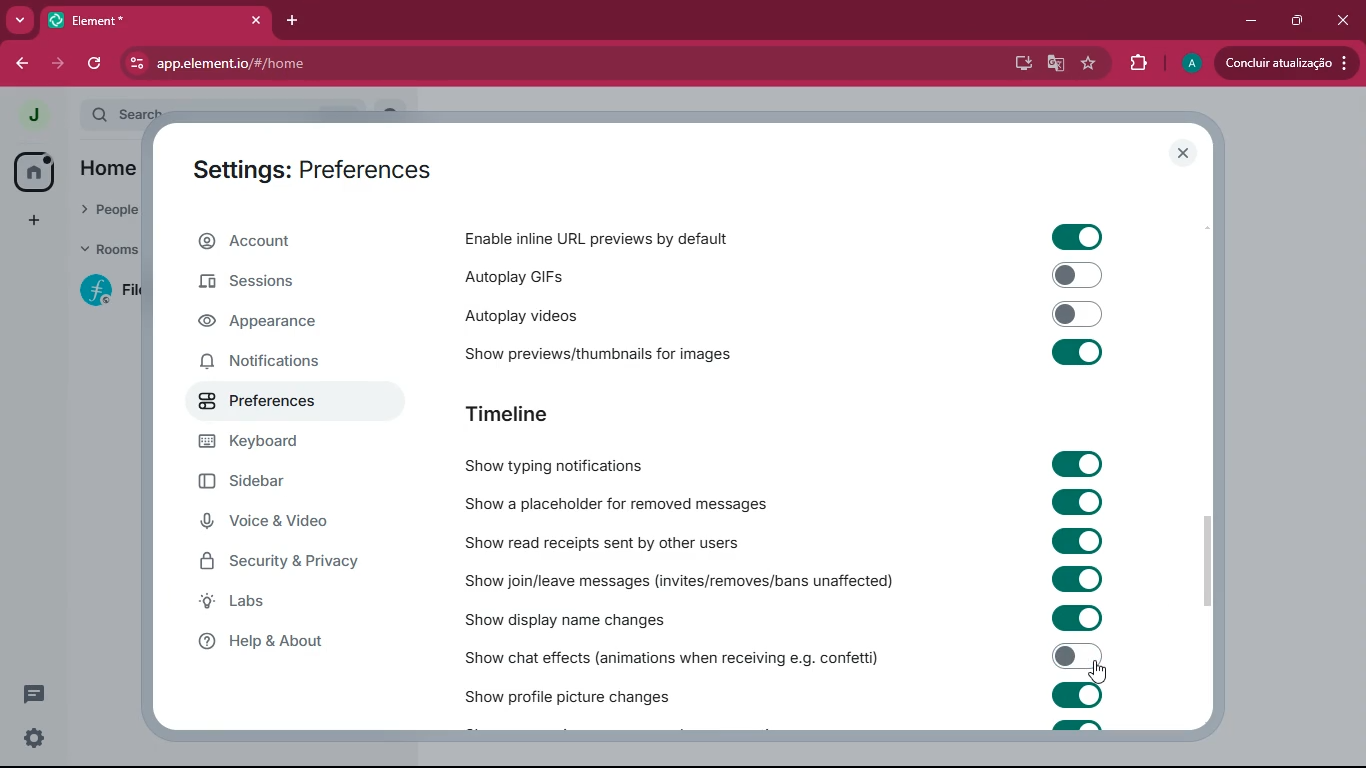 Image resolution: width=1366 pixels, height=768 pixels. What do you see at coordinates (1077, 352) in the screenshot?
I see `toggle on/off` at bounding box center [1077, 352].